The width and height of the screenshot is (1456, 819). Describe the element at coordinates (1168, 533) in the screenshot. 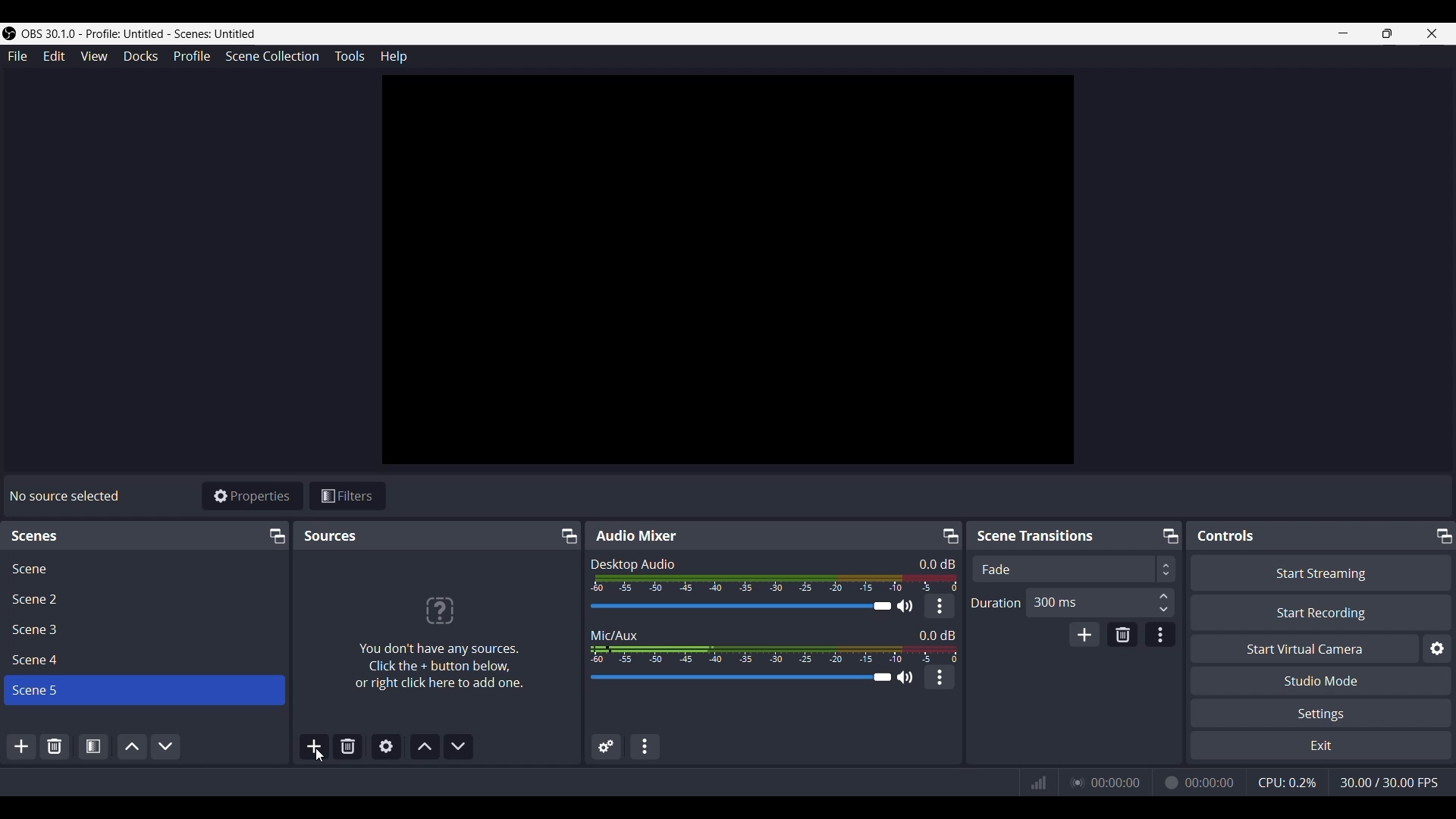

I see `Maximize` at that location.